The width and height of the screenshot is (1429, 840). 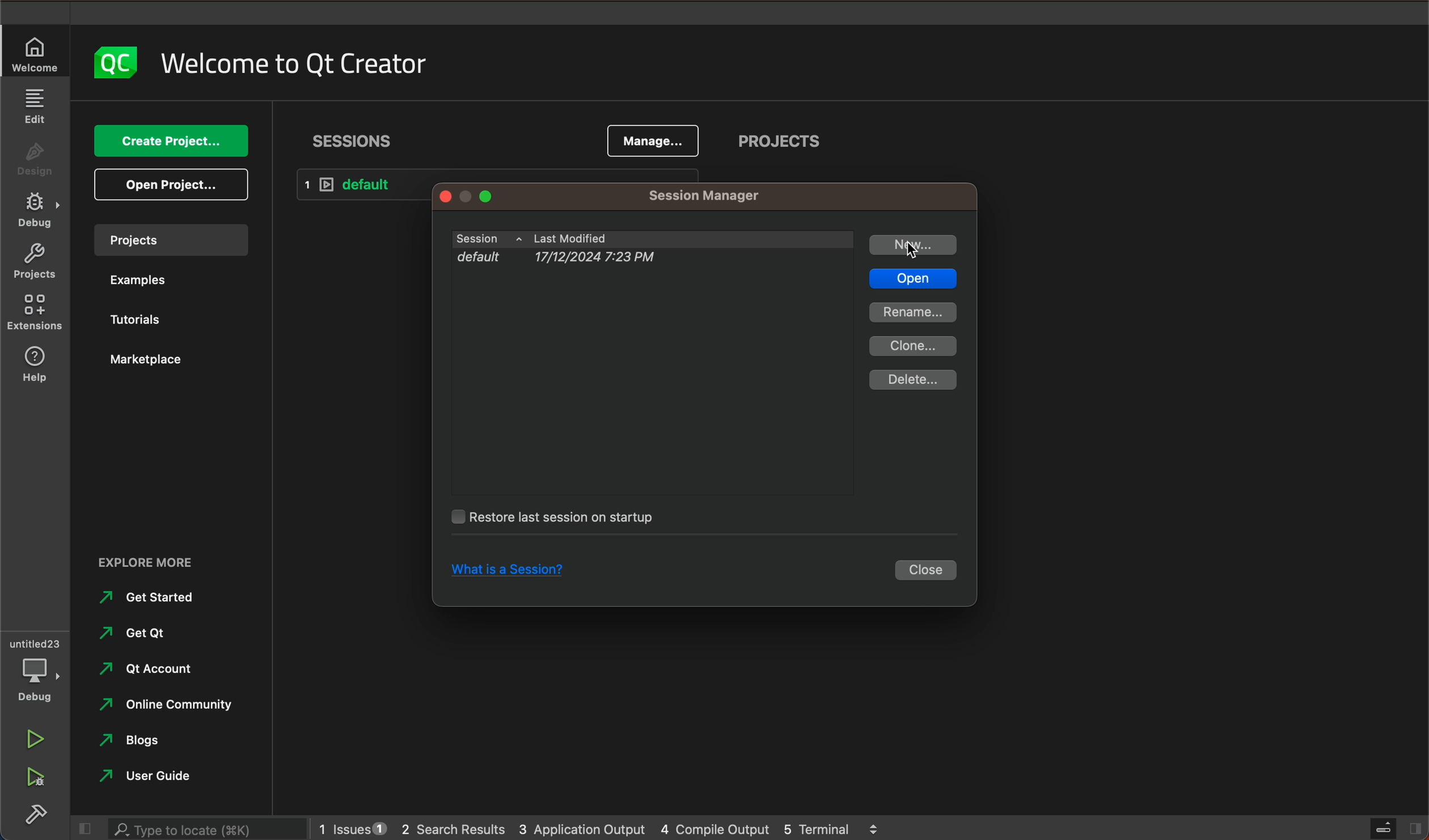 I want to click on run debug, so click(x=33, y=777).